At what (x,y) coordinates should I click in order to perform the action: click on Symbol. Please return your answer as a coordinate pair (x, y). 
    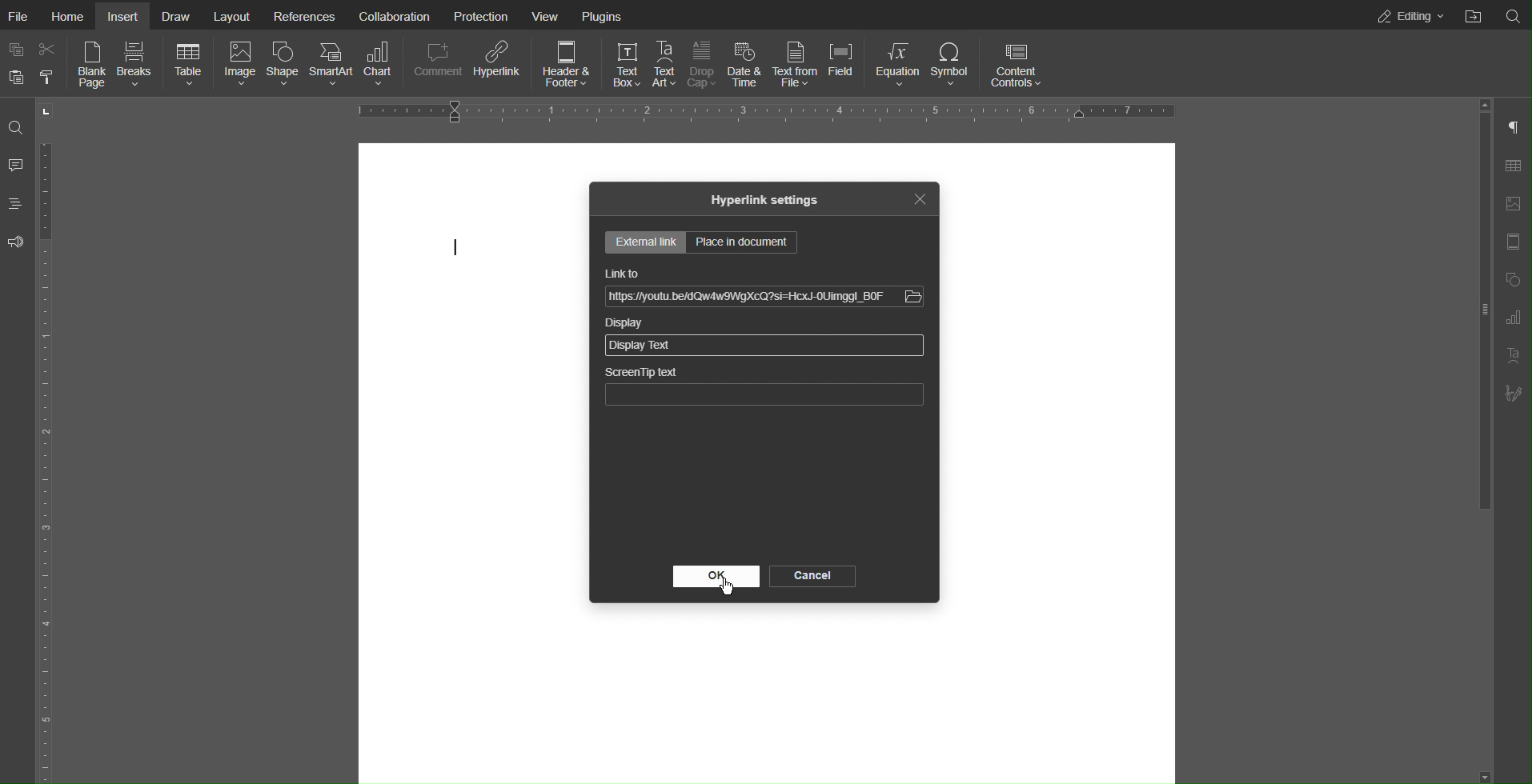
    Looking at the image, I should click on (952, 64).